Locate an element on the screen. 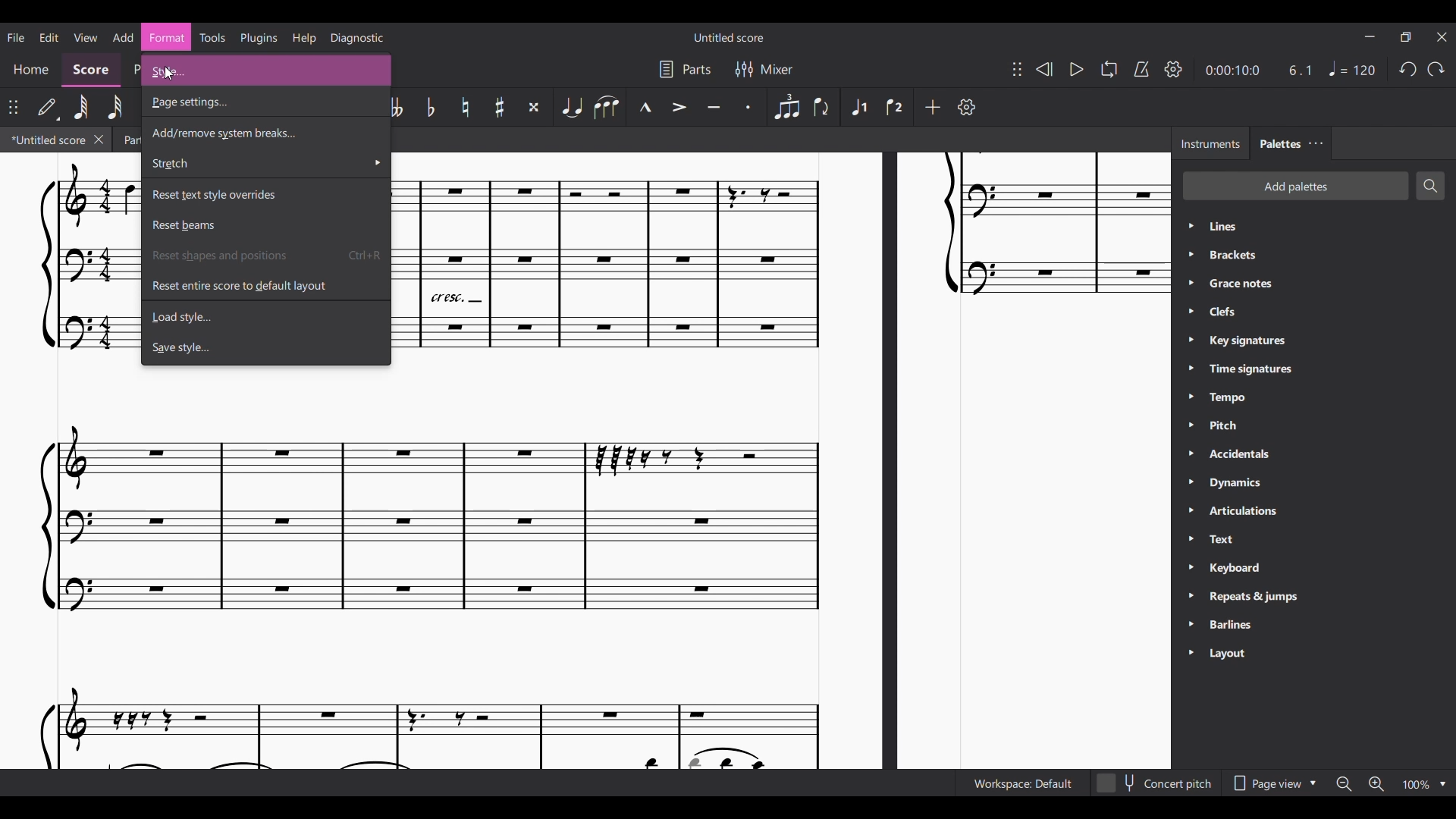  Score, current section highlighted is located at coordinates (91, 71).